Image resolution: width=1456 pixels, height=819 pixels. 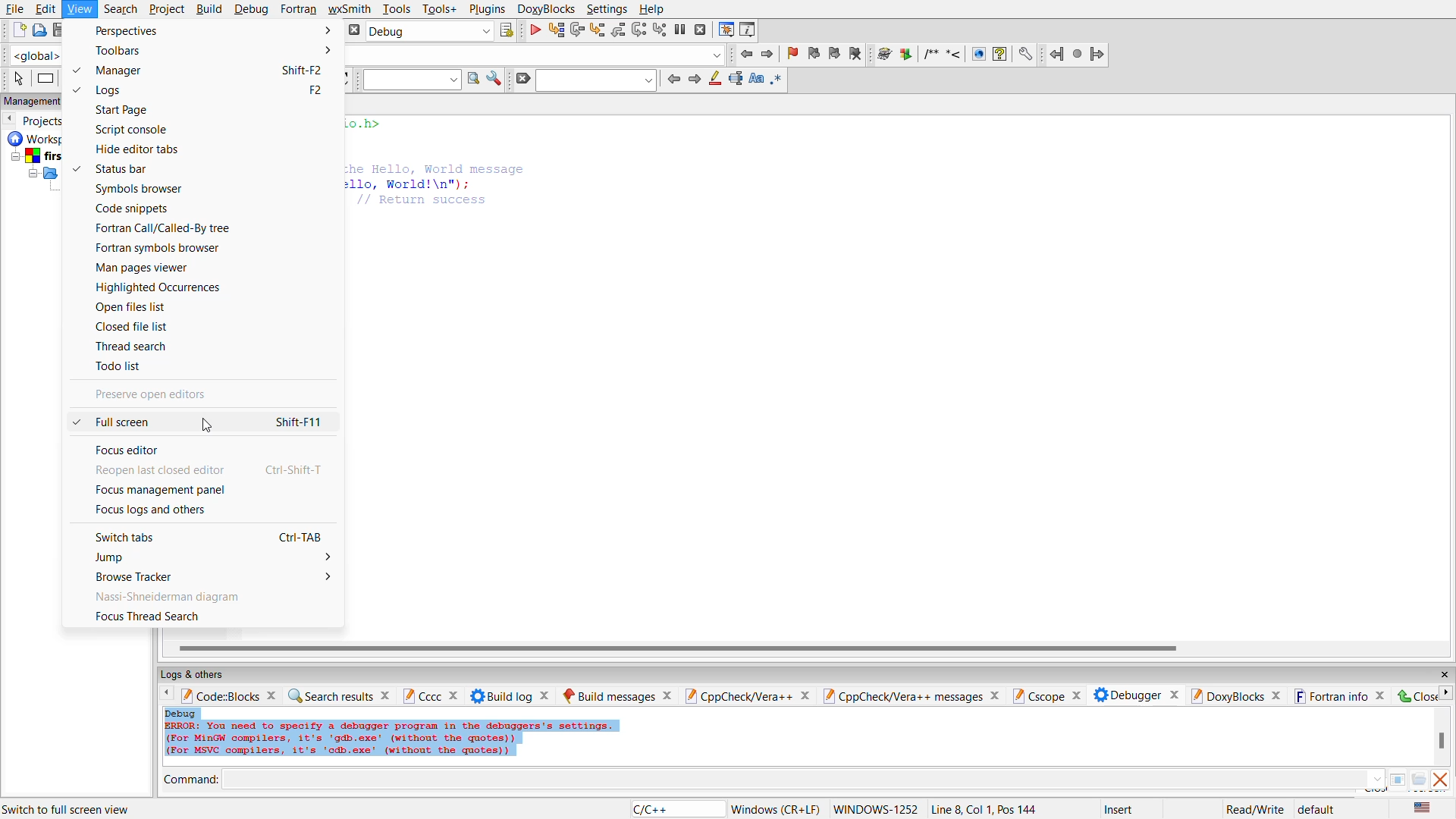 I want to click on jump forward, so click(x=767, y=54).